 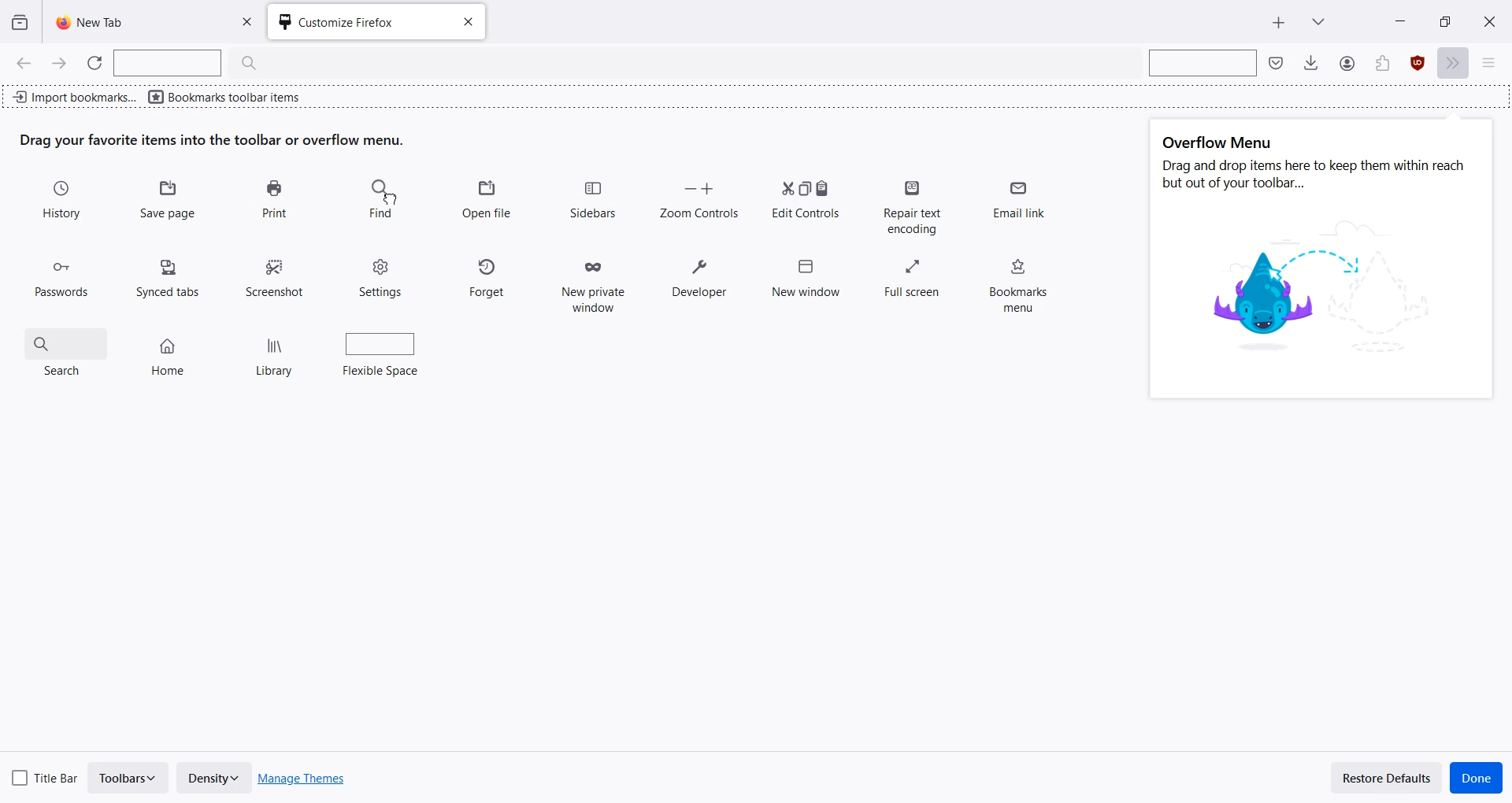 I want to click on Save to Pocket, so click(x=1346, y=63).